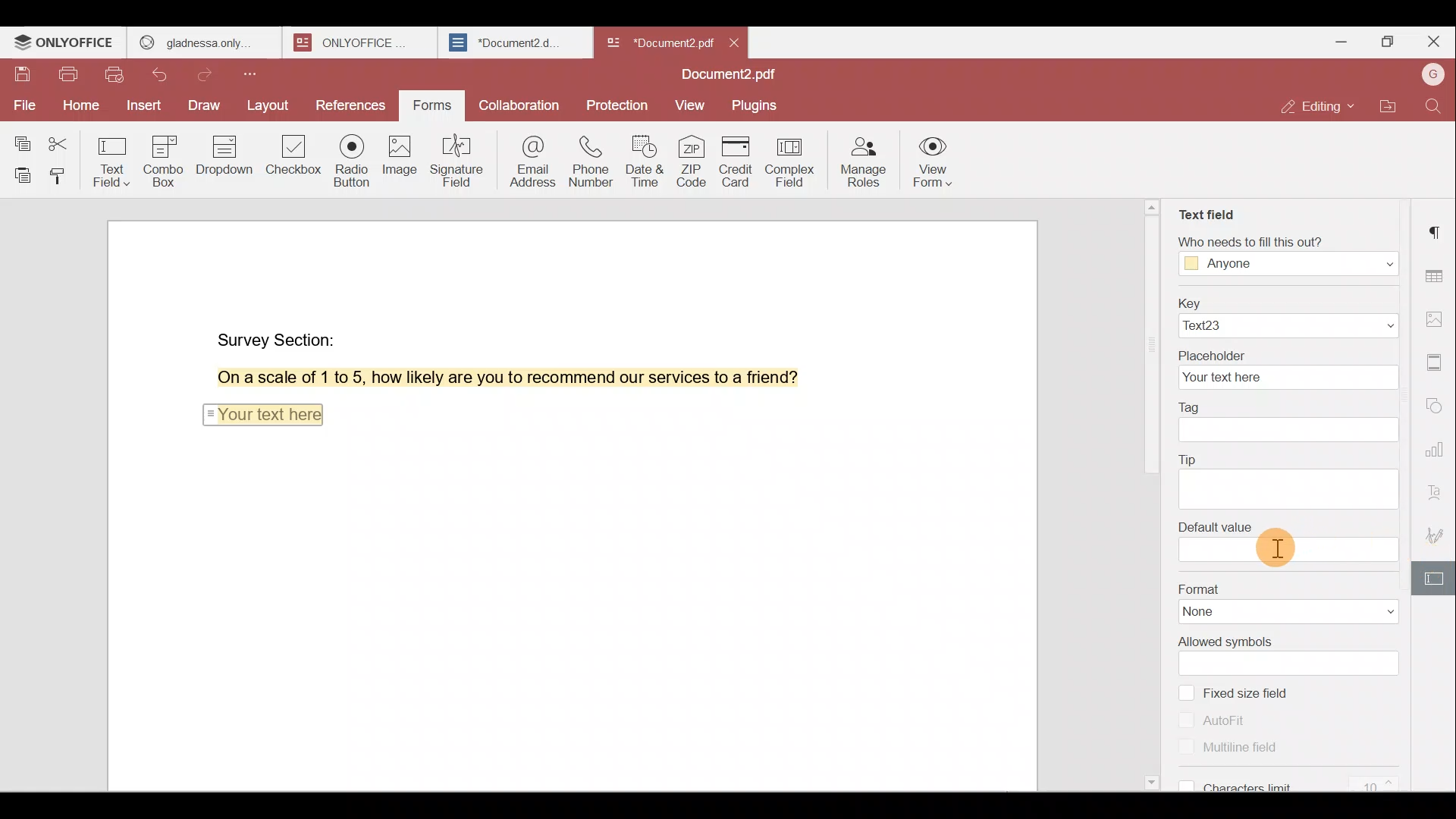 Image resolution: width=1456 pixels, height=819 pixels. What do you see at coordinates (116, 77) in the screenshot?
I see `Quick print` at bounding box center [116, 77].